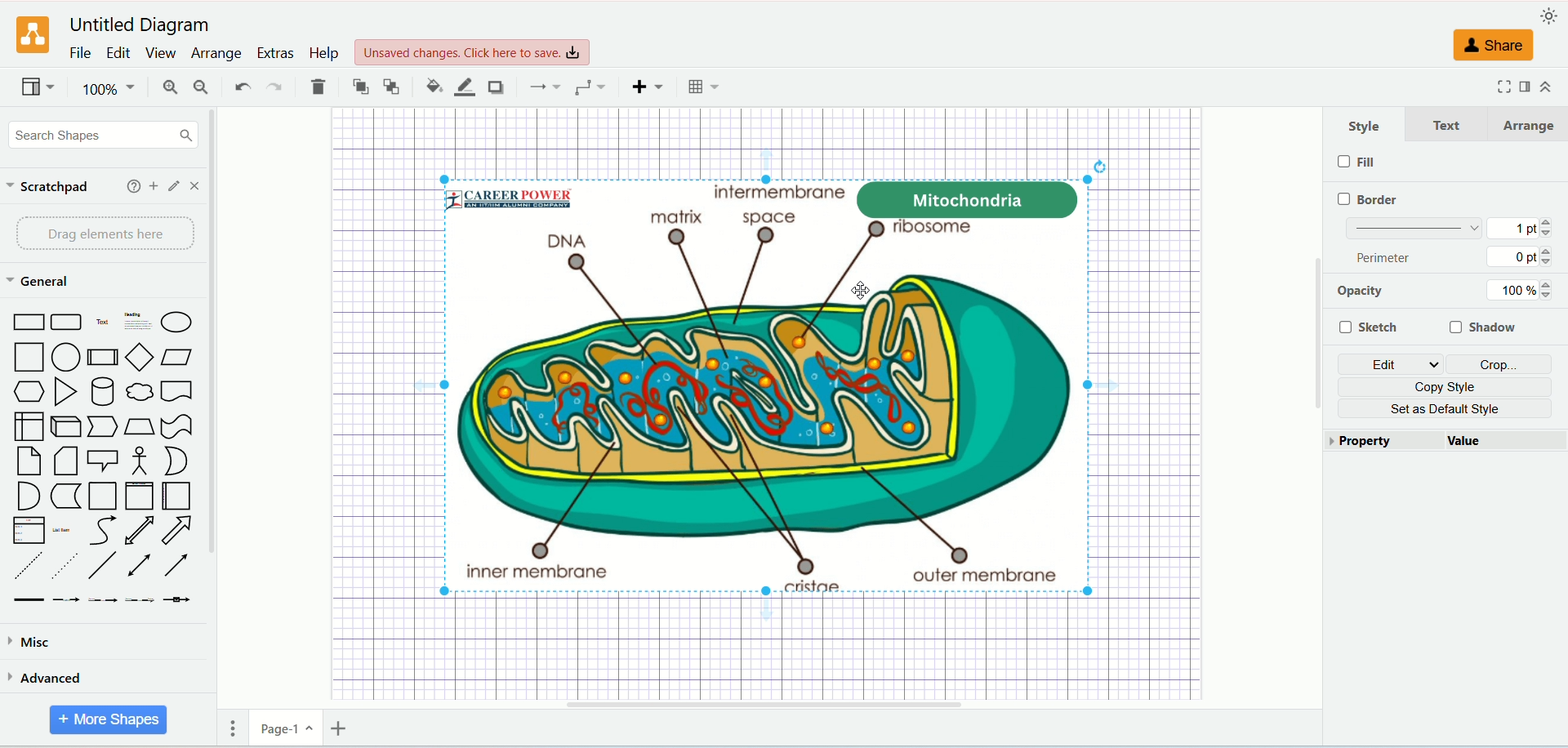 The width and height of the screenshot is (1568, 748). I want to click on Container, so click(104, 496).